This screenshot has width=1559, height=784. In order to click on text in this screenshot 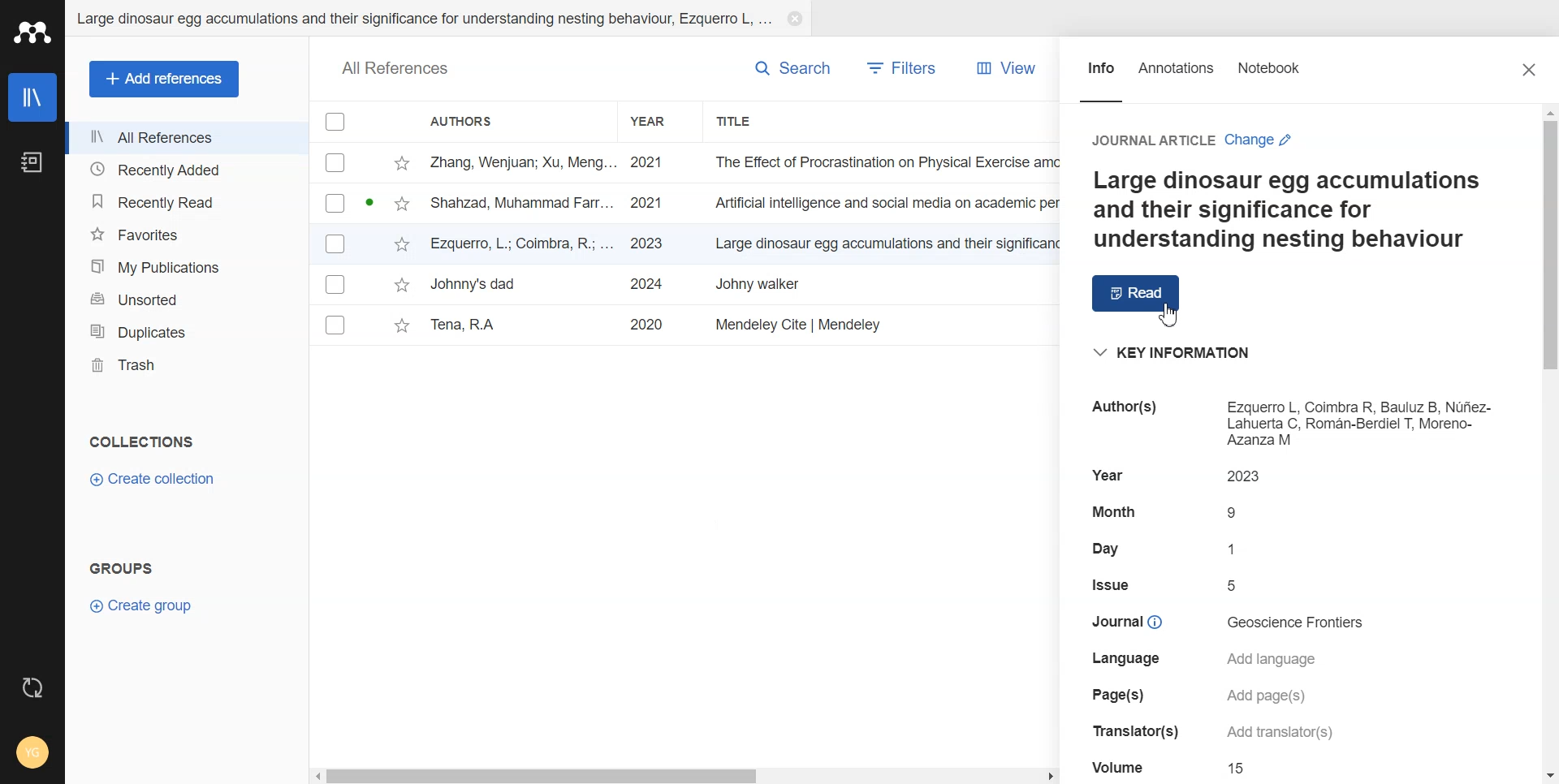, I will do `click(1237, 547)`.